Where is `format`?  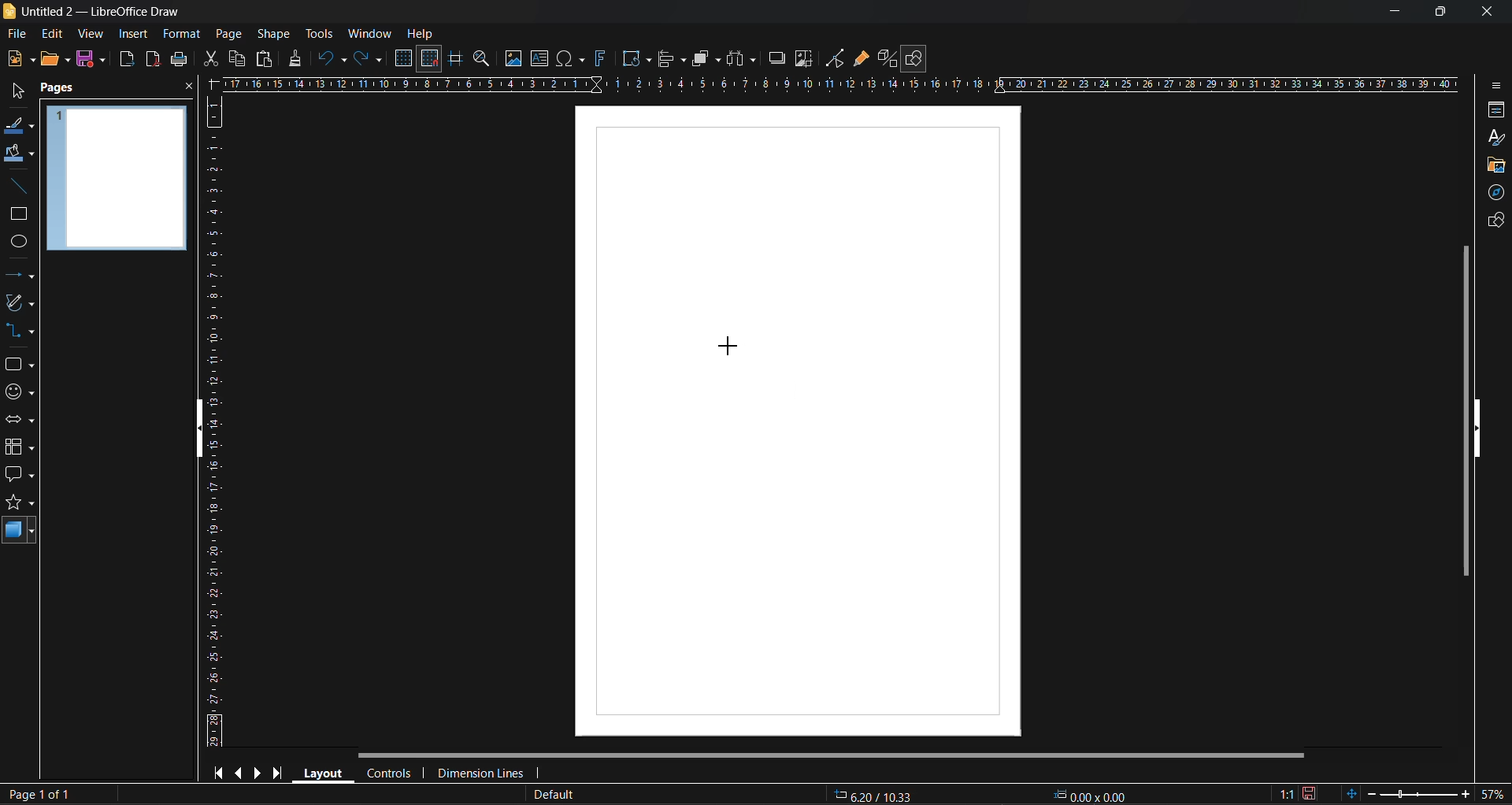 format is located at coordinates (183, 35).